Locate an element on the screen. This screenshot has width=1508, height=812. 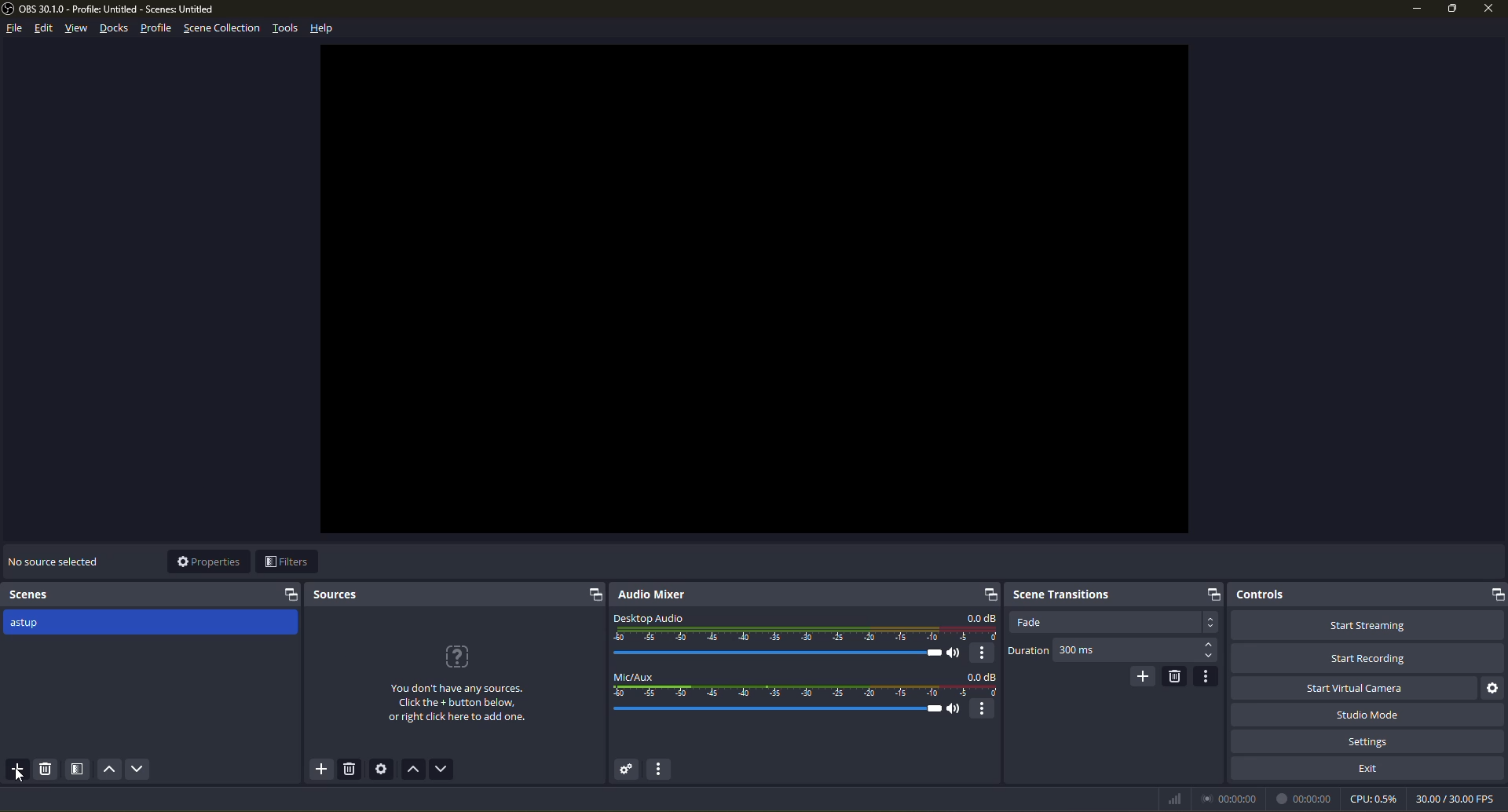
remove selected source is located at coordinates (350, 769).